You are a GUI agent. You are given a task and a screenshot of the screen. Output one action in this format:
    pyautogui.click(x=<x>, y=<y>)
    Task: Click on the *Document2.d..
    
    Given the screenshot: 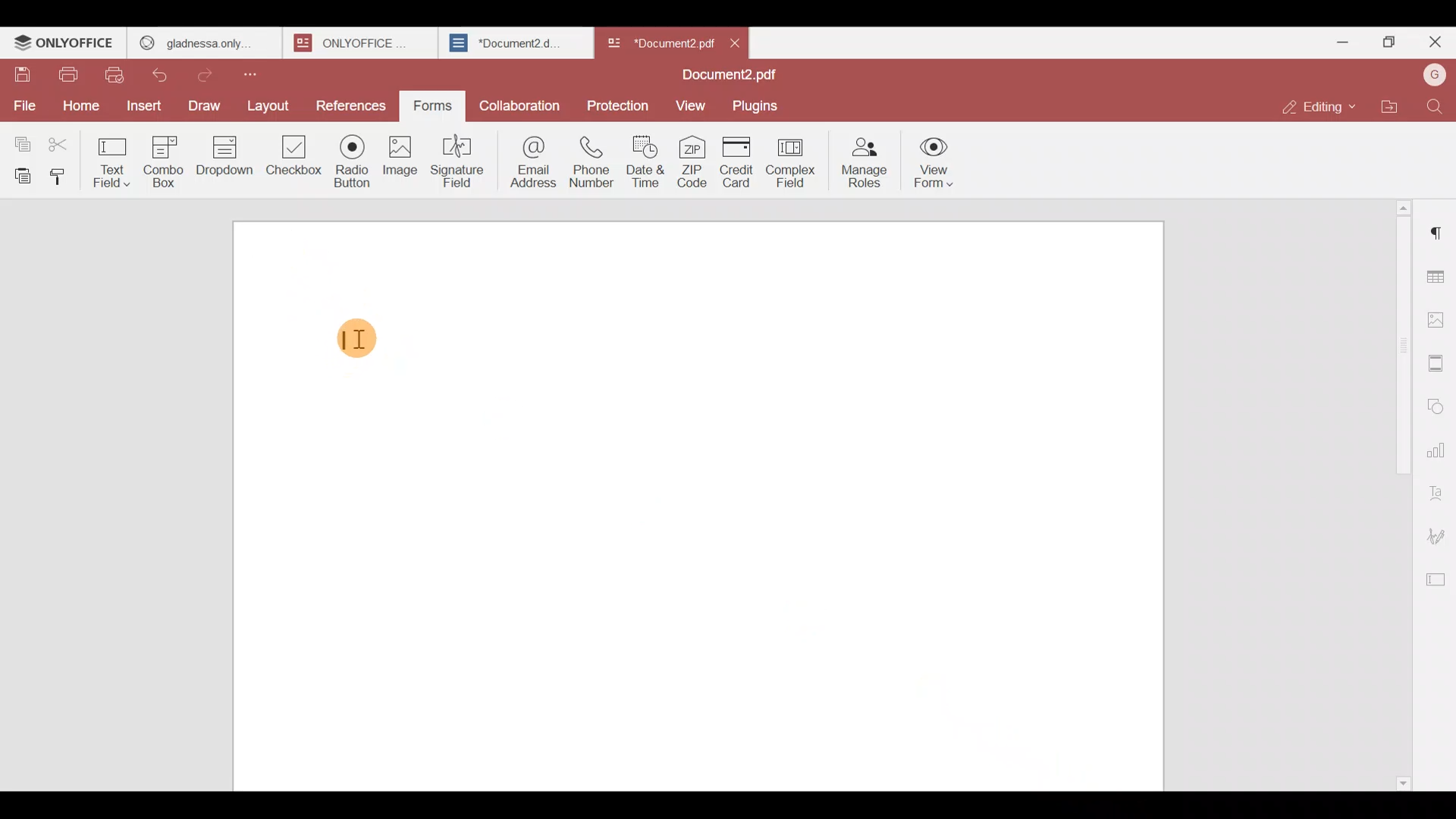 What is the action you would take?
    pyautogui.click(x=507, y=41)
    